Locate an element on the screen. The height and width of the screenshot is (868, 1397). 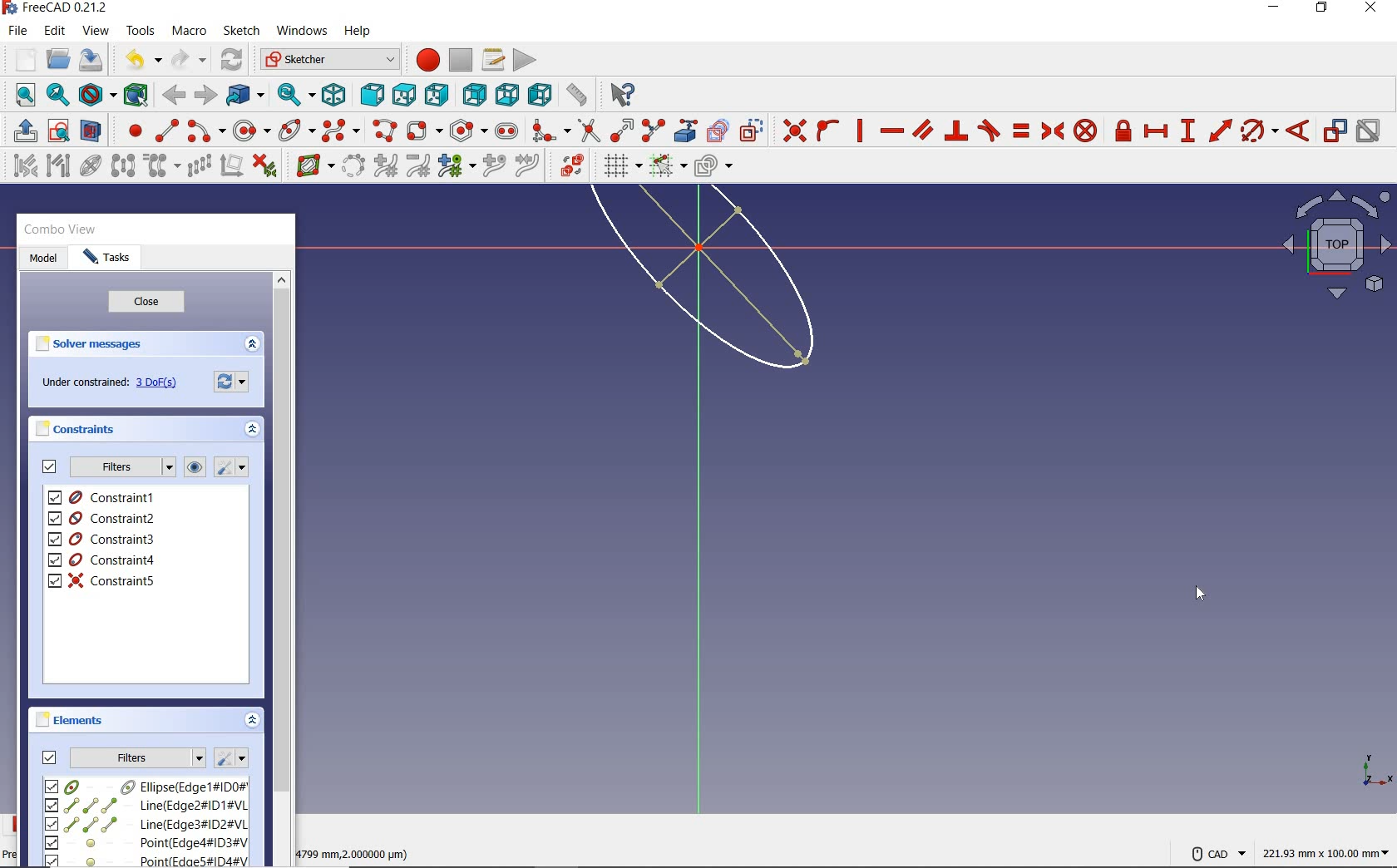
edit is located at coordinates (54, 32).